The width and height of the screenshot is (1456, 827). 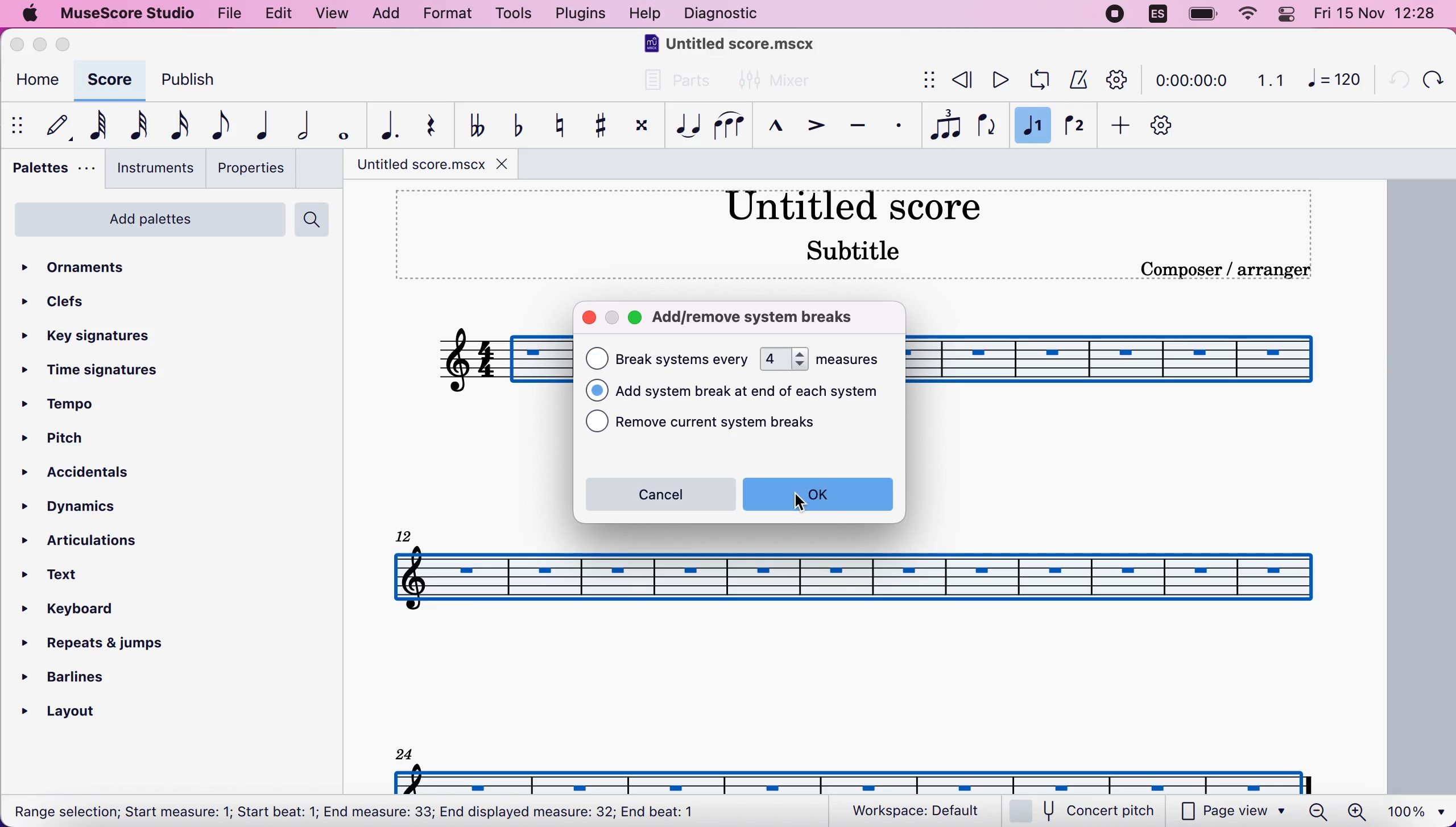 I want to click on barlines, so click(x=94, y=673).